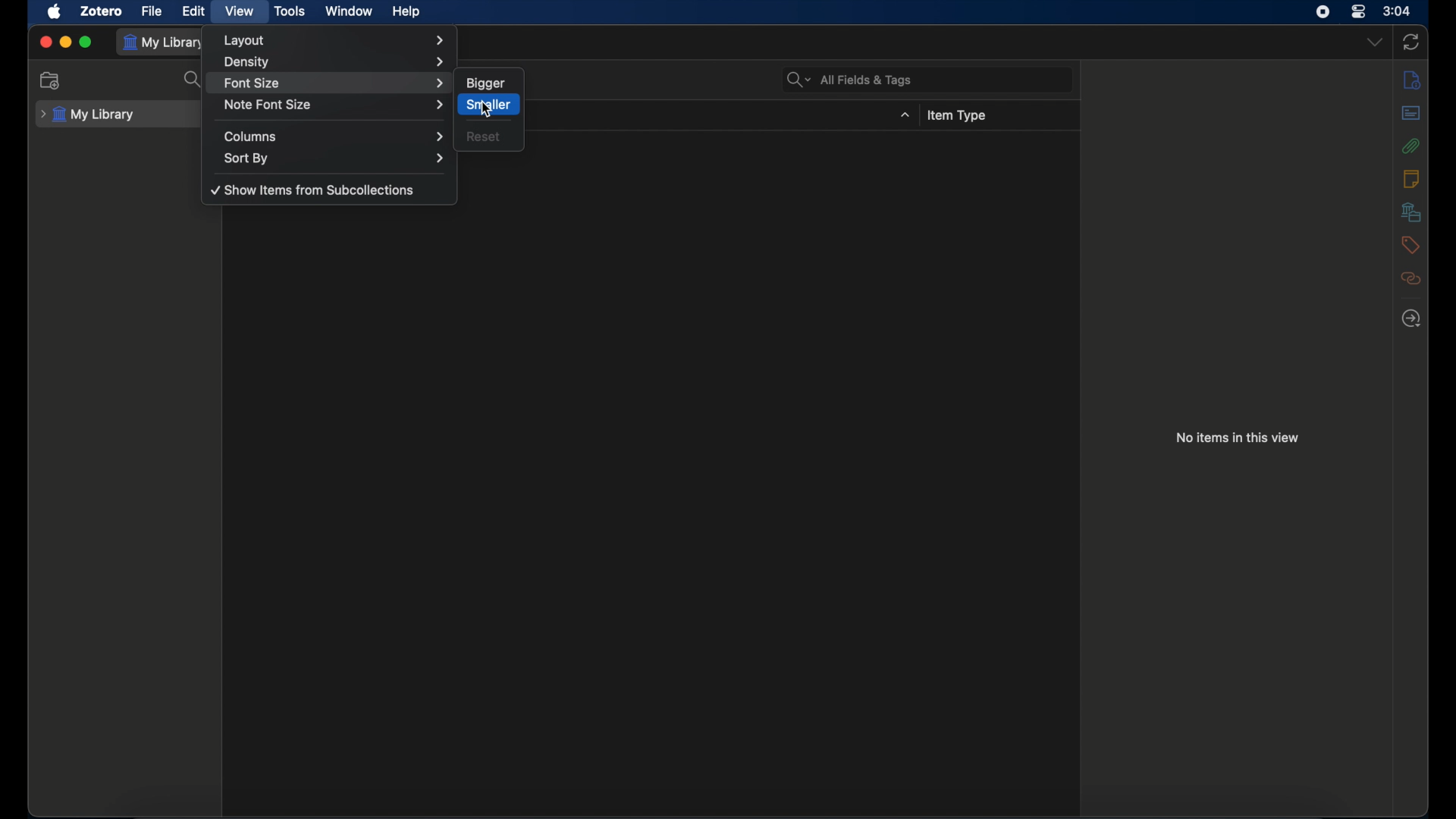 This screenshot has width=1456, height=819. What do you see at coordinates (1412, 318) in the screenshot?
I see `locate` at bounding box center [1412, 318].